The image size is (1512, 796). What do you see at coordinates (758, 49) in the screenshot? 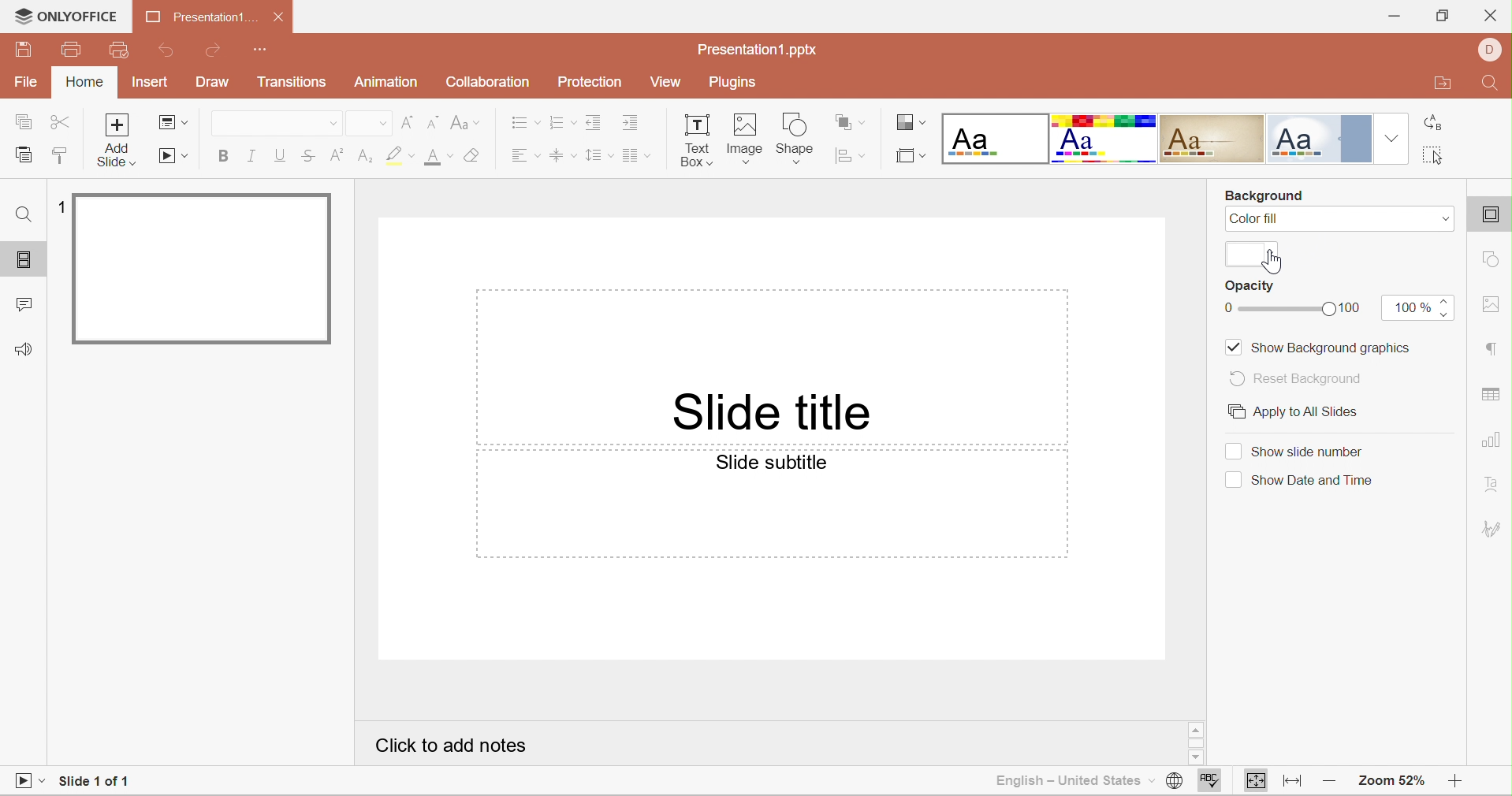
I see `Presentation1.pptx` at bounding box center [758, 49].